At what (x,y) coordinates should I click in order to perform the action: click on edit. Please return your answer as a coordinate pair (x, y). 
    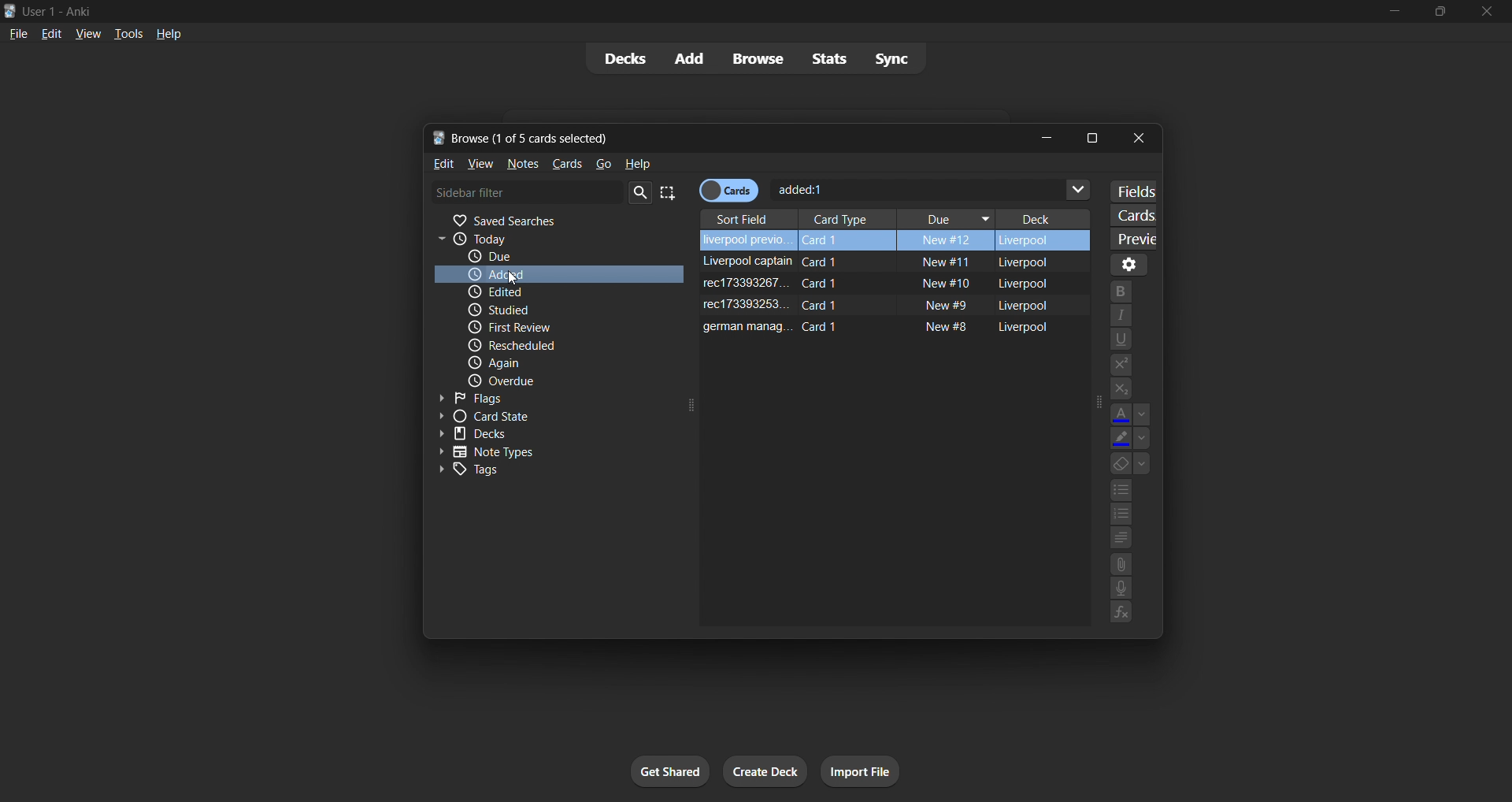
    Looking at the image, I should click on (438, 165).